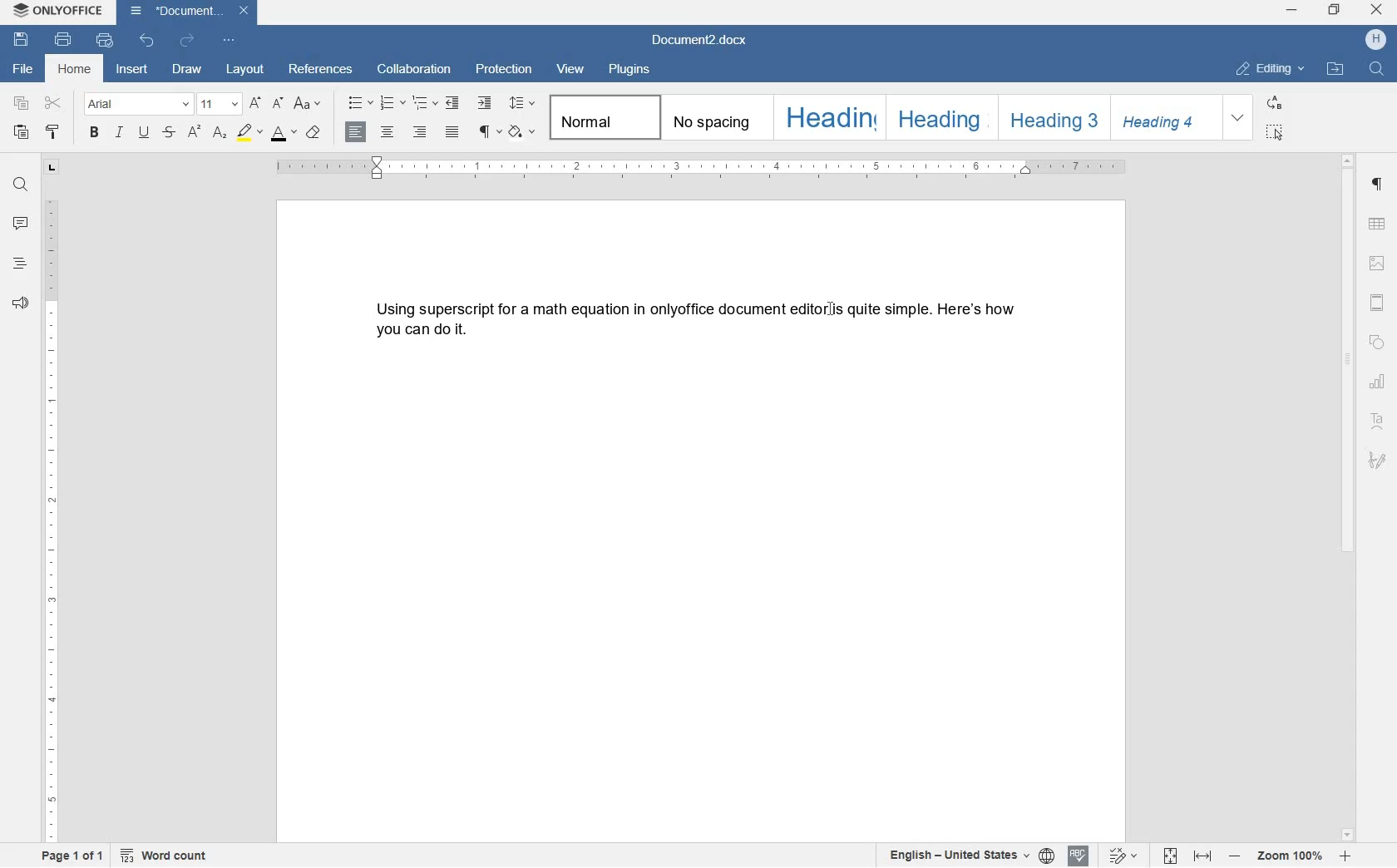  Describe the element at coordinates (54, 102) in the screenshot. I see `cut` at that location.